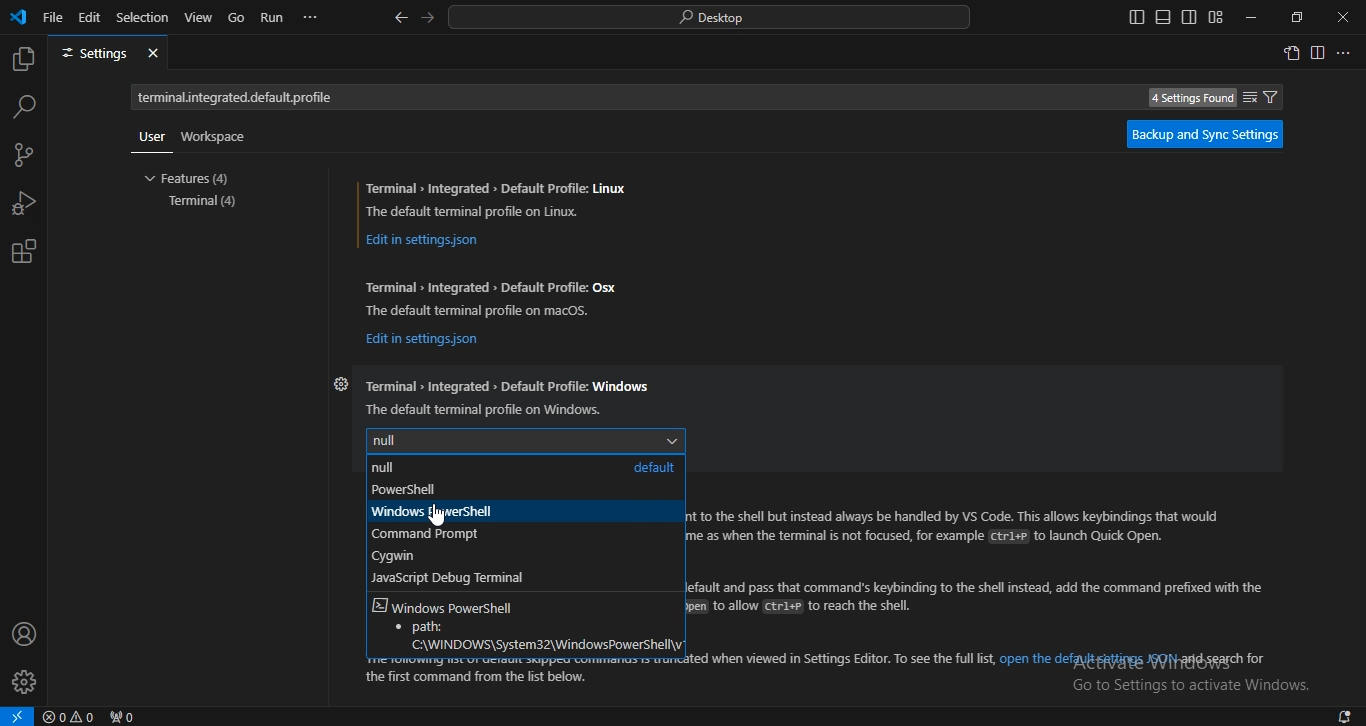  What do you see at coordinates (1320, 52) in the screenshot?
I see `split right editor` at bounding box center [1320, 52].